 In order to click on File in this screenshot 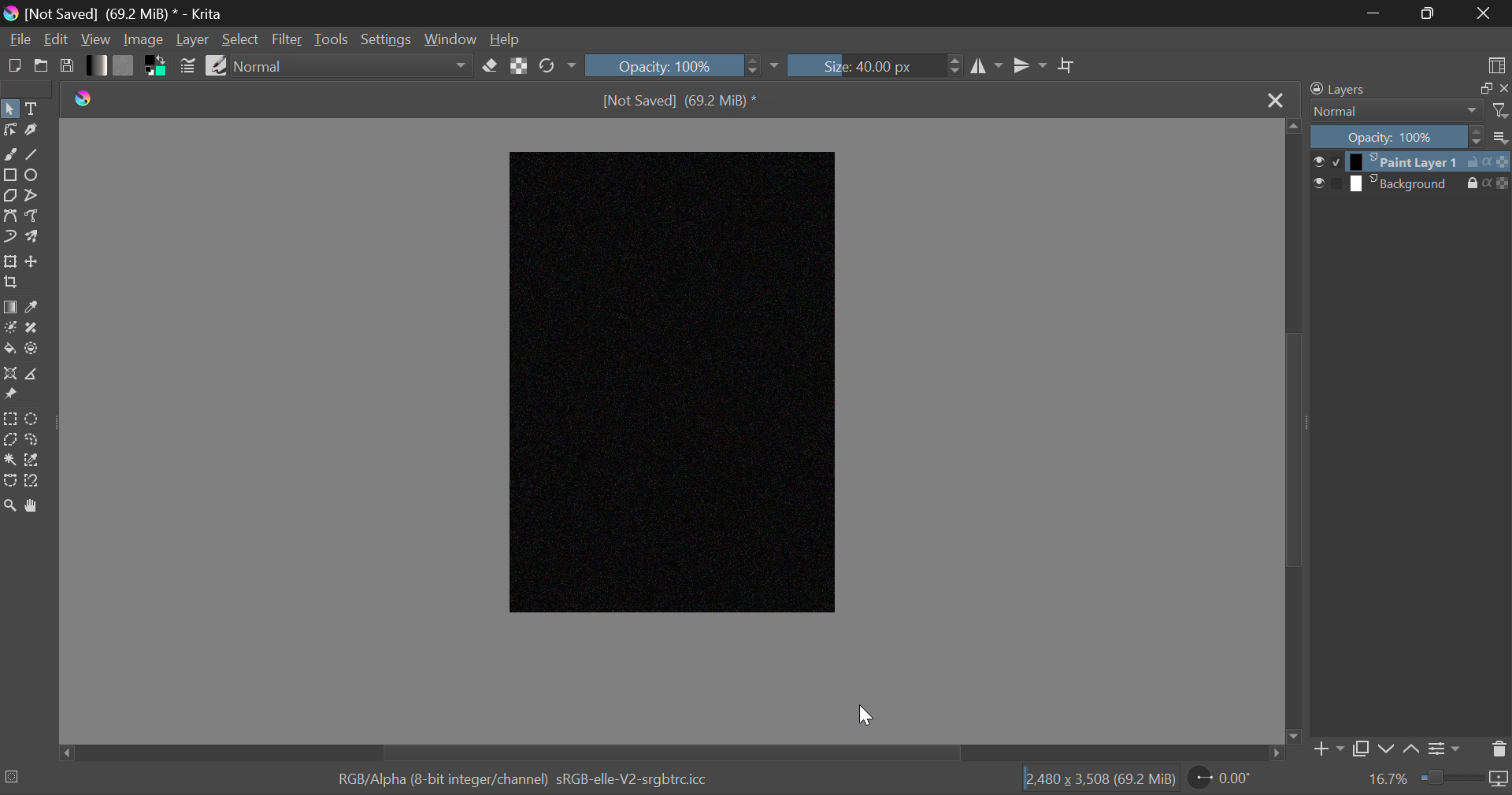, I will do `click(18, 41)`.